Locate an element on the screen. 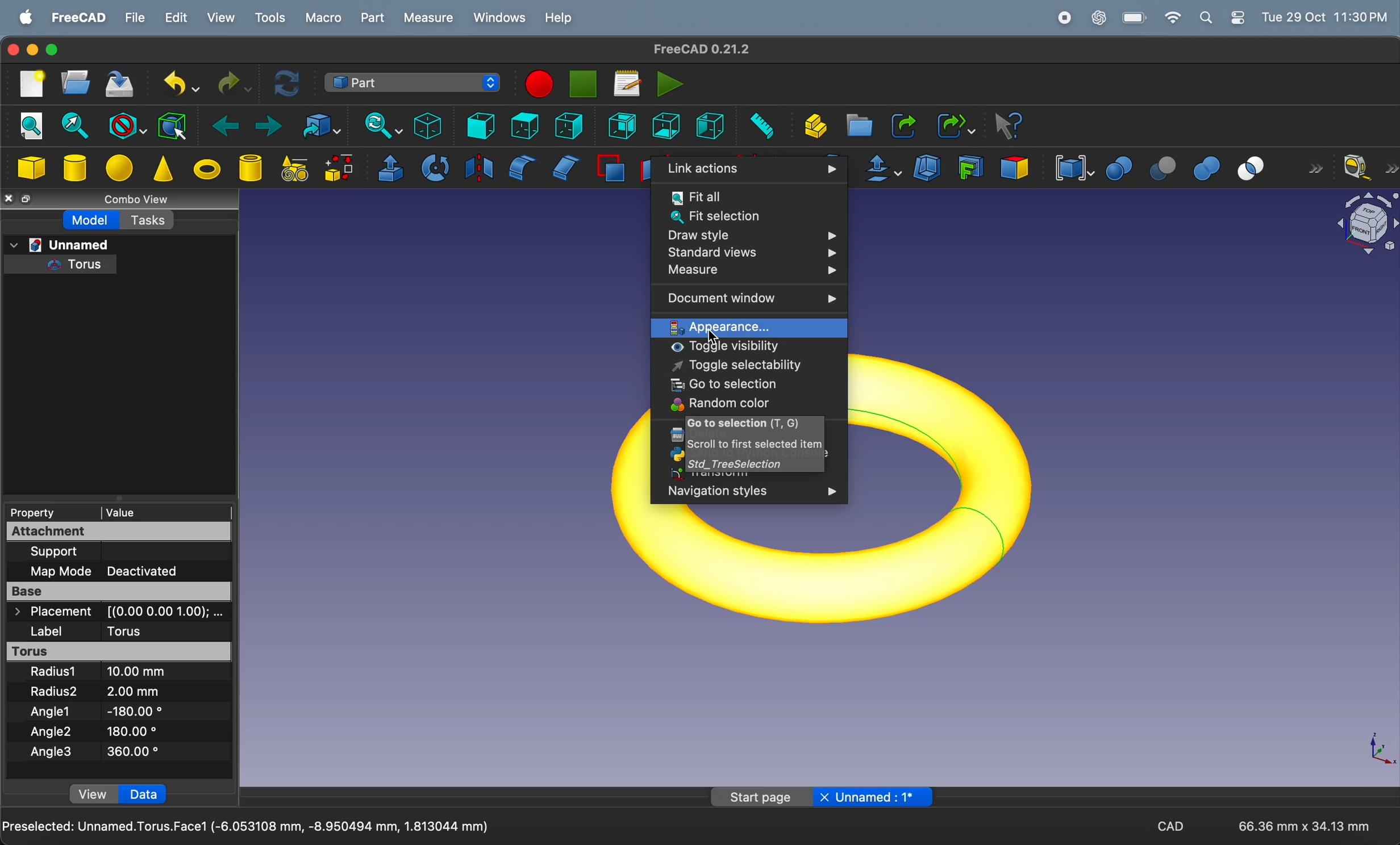 This screenshot has height=845, width=1400. link actions is located at coordinates (748, 169).